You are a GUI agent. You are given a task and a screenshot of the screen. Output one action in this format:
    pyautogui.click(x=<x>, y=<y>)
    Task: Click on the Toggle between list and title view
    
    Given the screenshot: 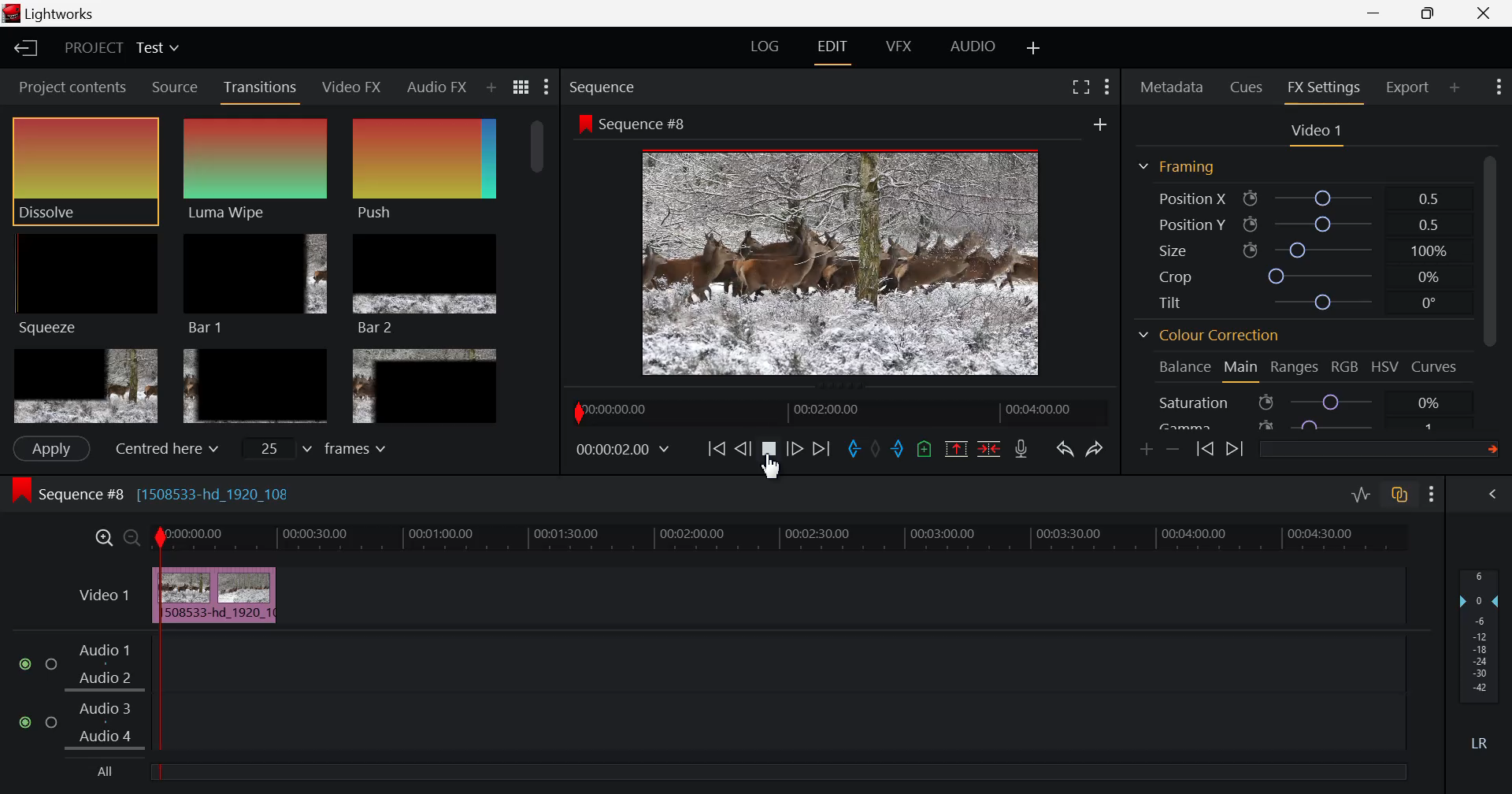 What is the action you would take?
    pyautogui.click(x=523, y=87)
    